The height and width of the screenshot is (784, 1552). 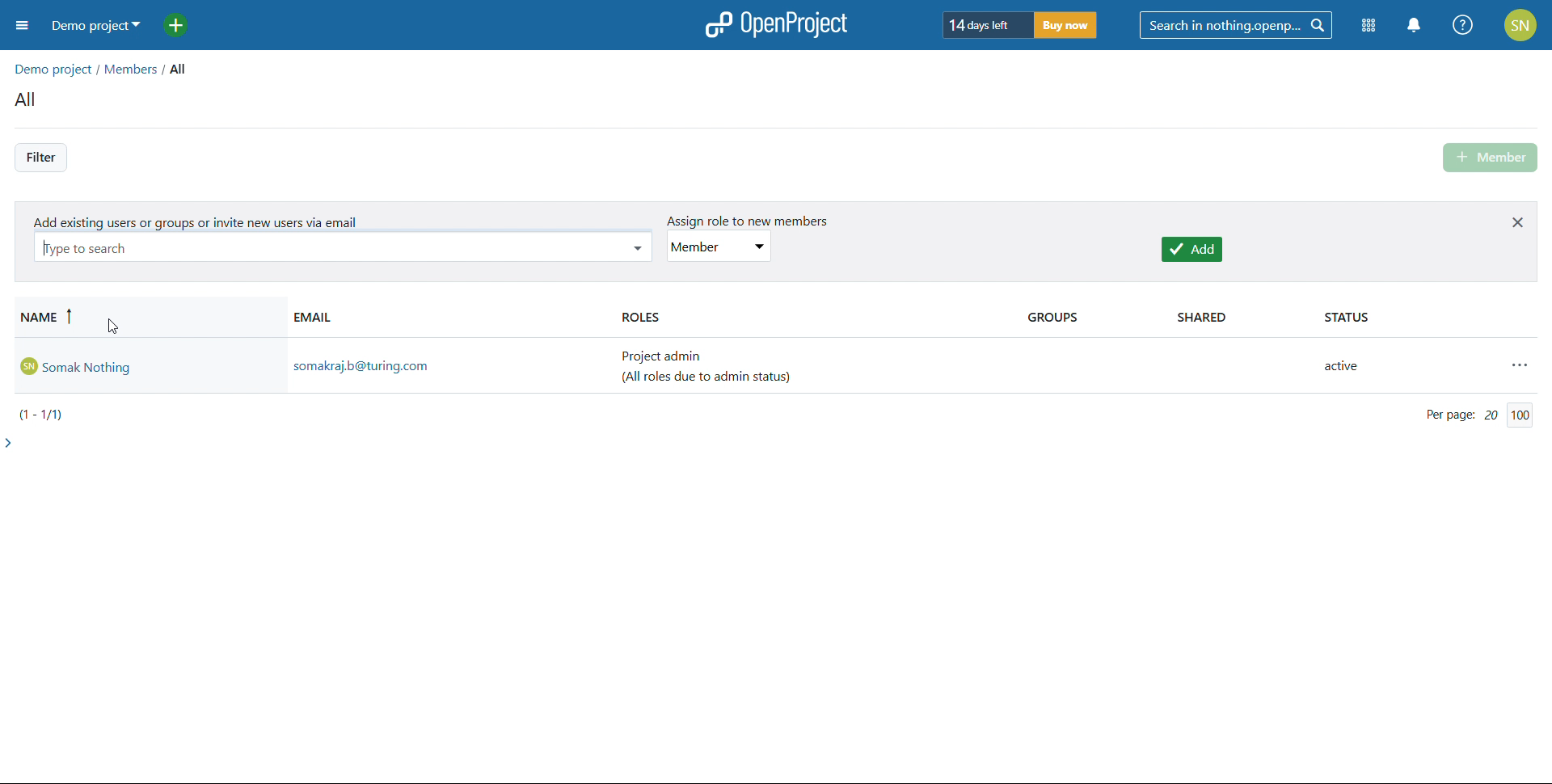 What do you see at coordinates (342, 247) in the screenshot?
I see `type to search` at bounding box center [342, 247].